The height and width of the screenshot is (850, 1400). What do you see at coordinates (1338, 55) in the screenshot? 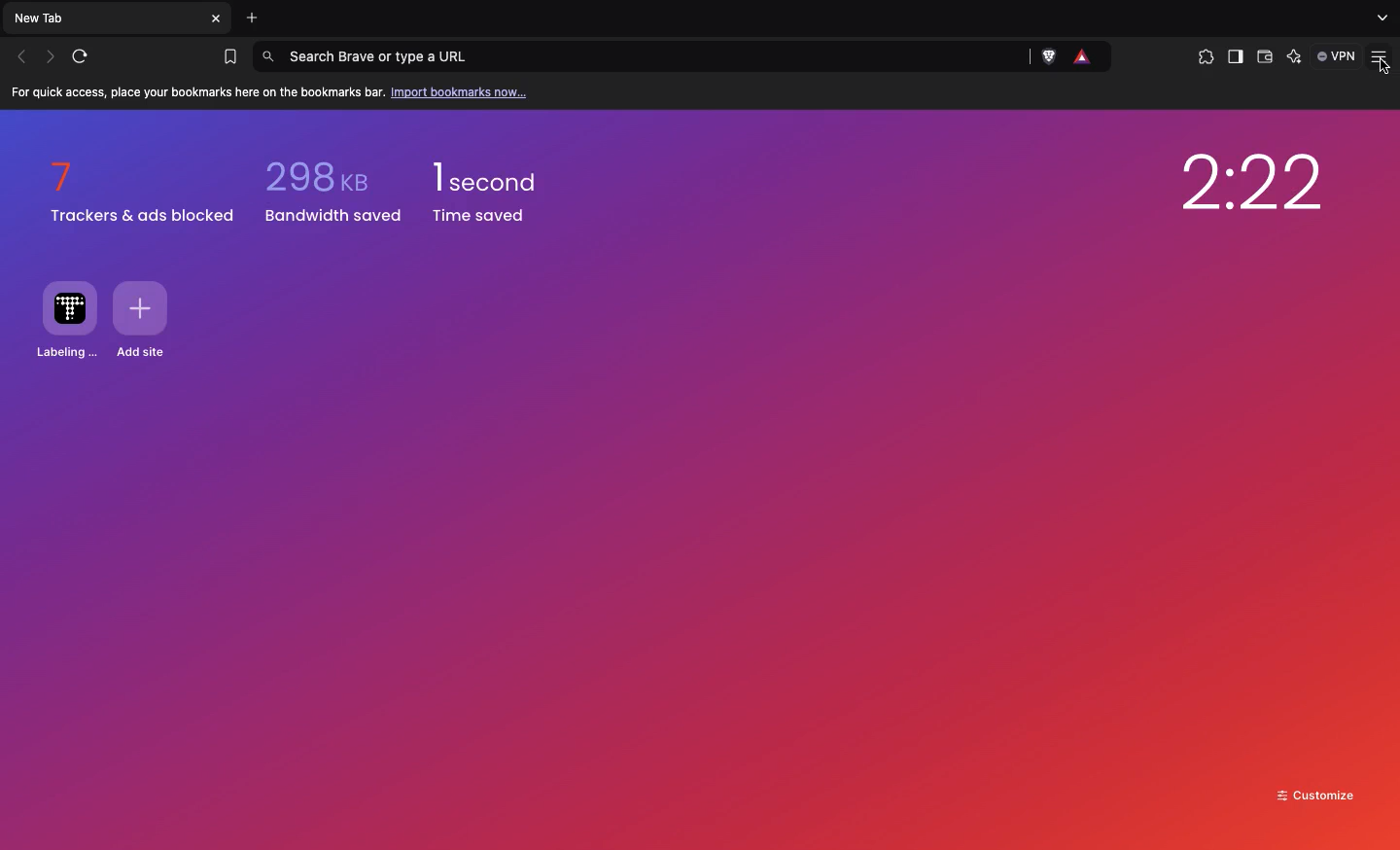
I see `VPN` at bounding box center [1338, 55].